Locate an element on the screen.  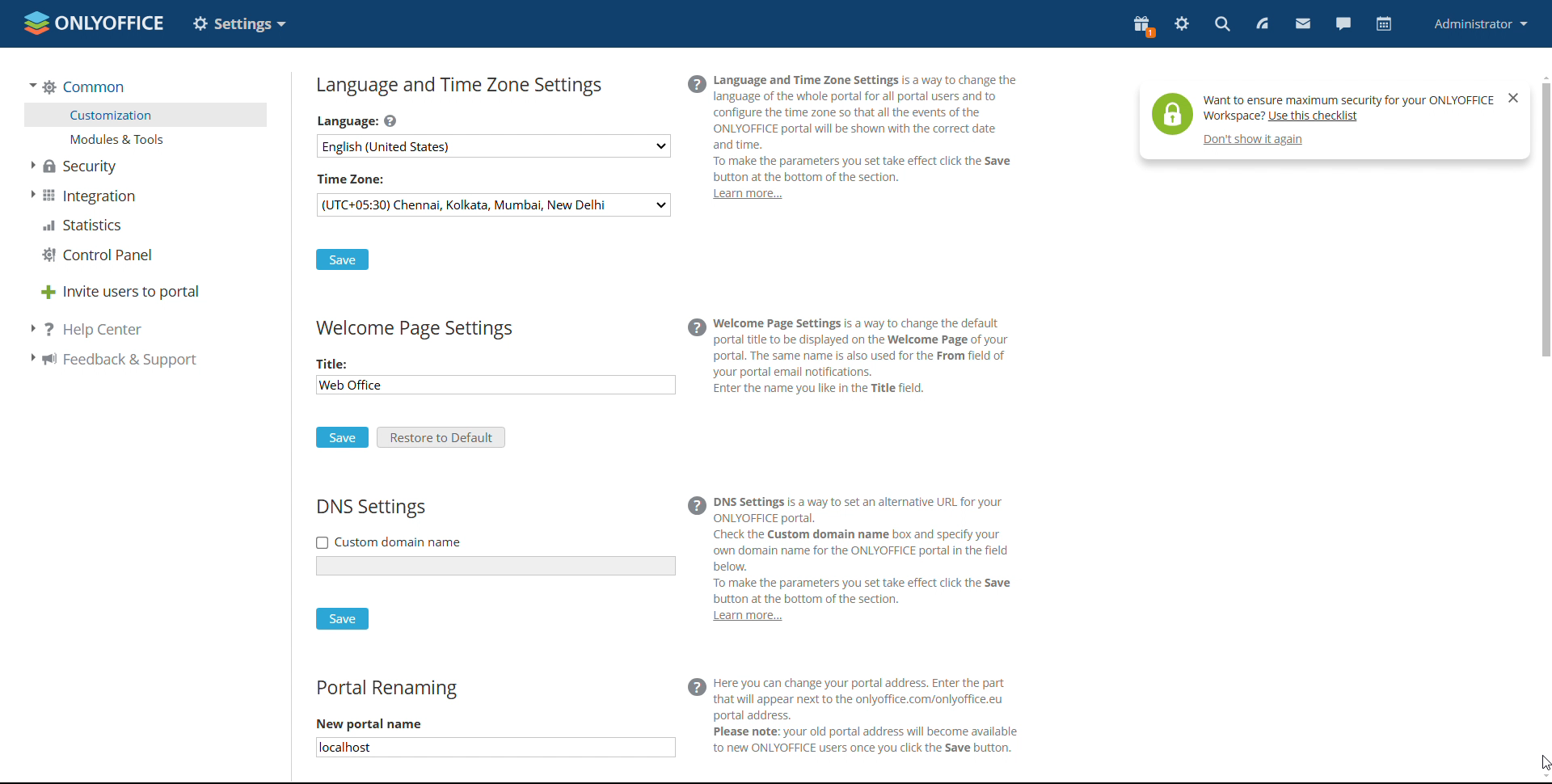
invite users to portal is located at coordinates (120, 290).